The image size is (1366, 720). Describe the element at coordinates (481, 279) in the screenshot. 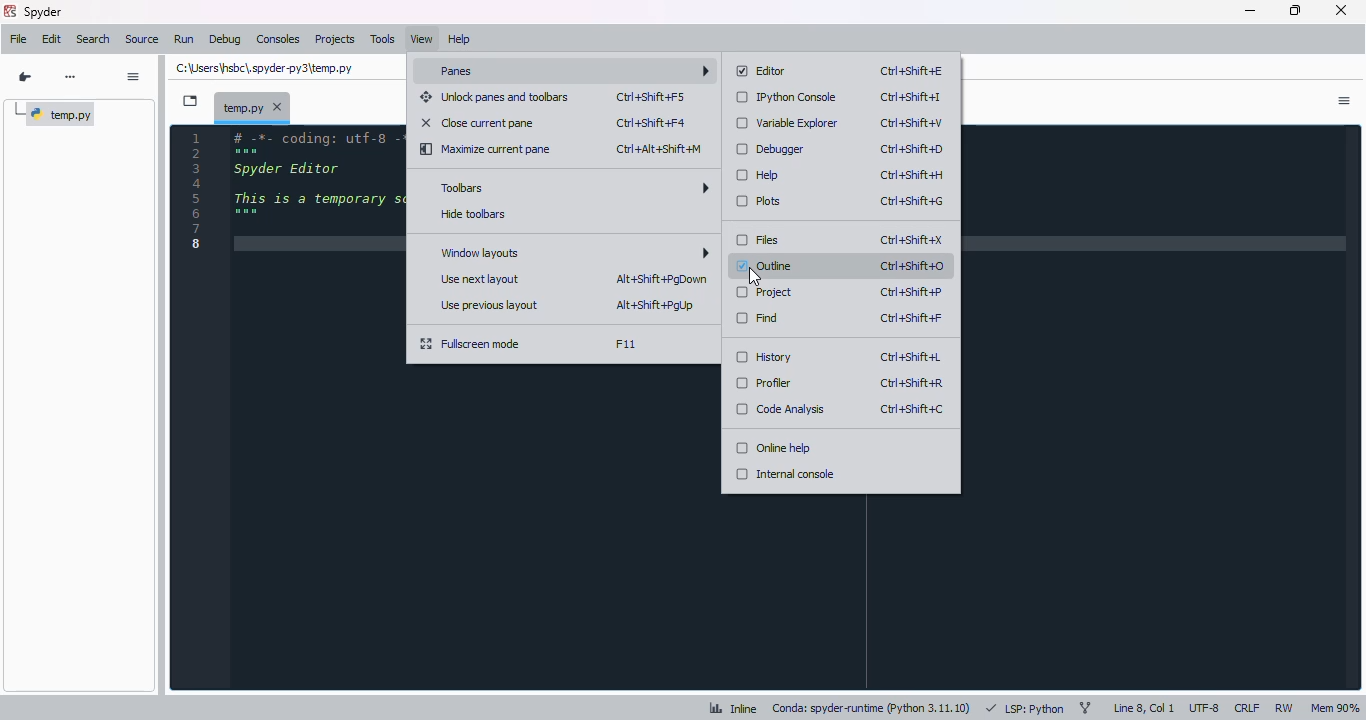

I see `use next layout` at that location.